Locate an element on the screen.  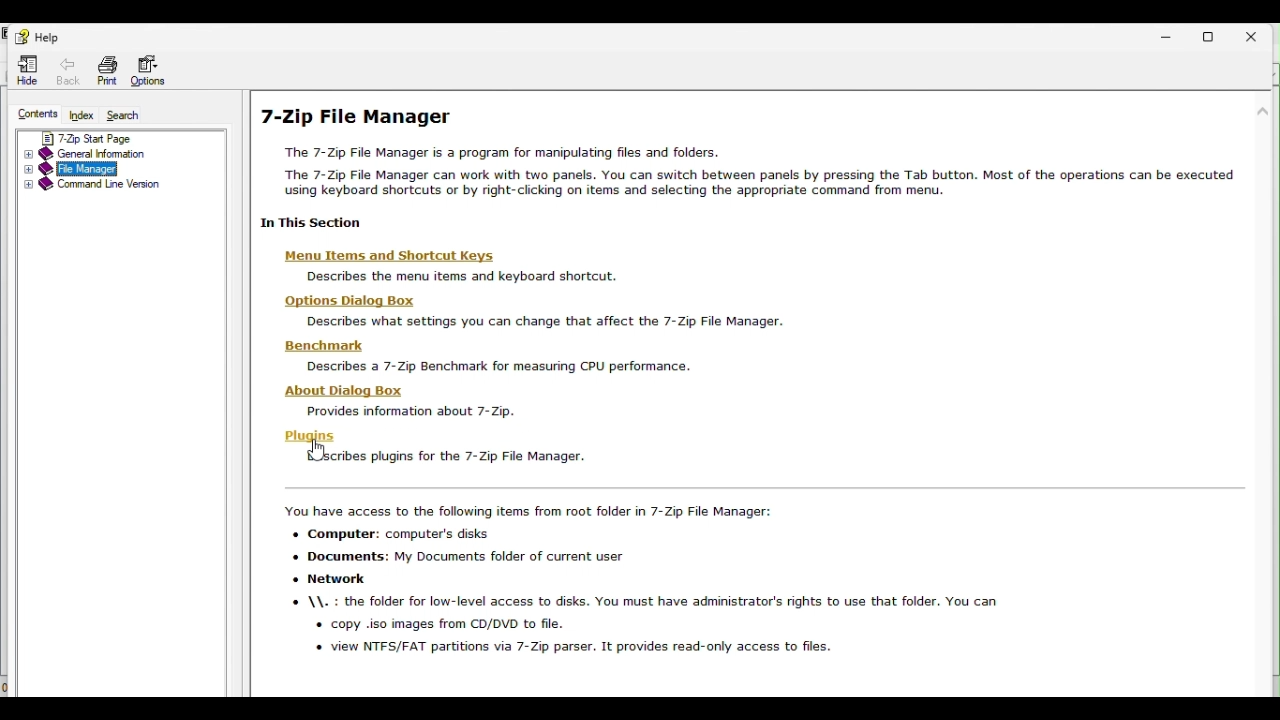
Hide is located at coordinates (27, 69).